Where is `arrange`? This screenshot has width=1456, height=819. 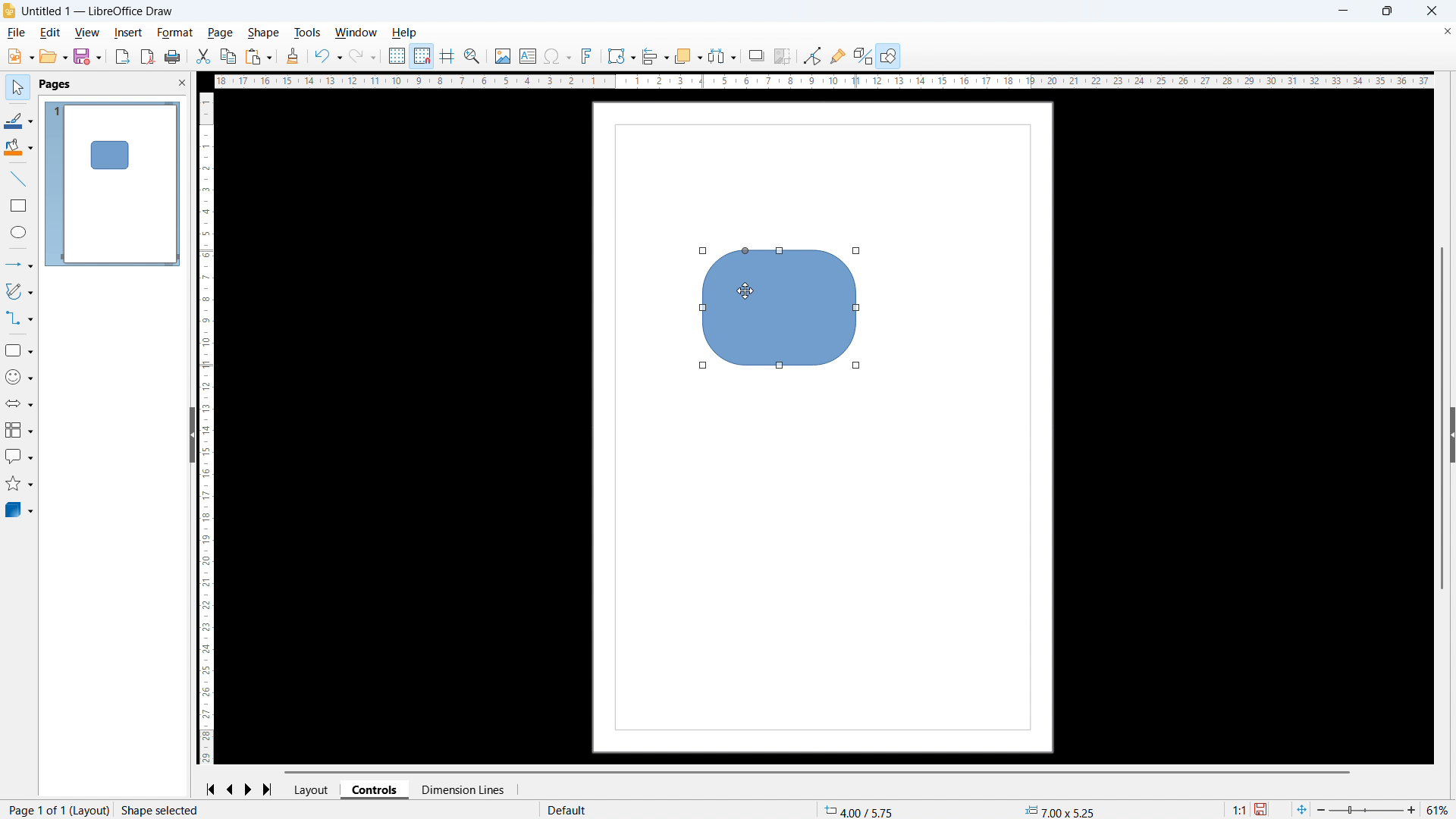 arrange is located at coordinates (687, 57).